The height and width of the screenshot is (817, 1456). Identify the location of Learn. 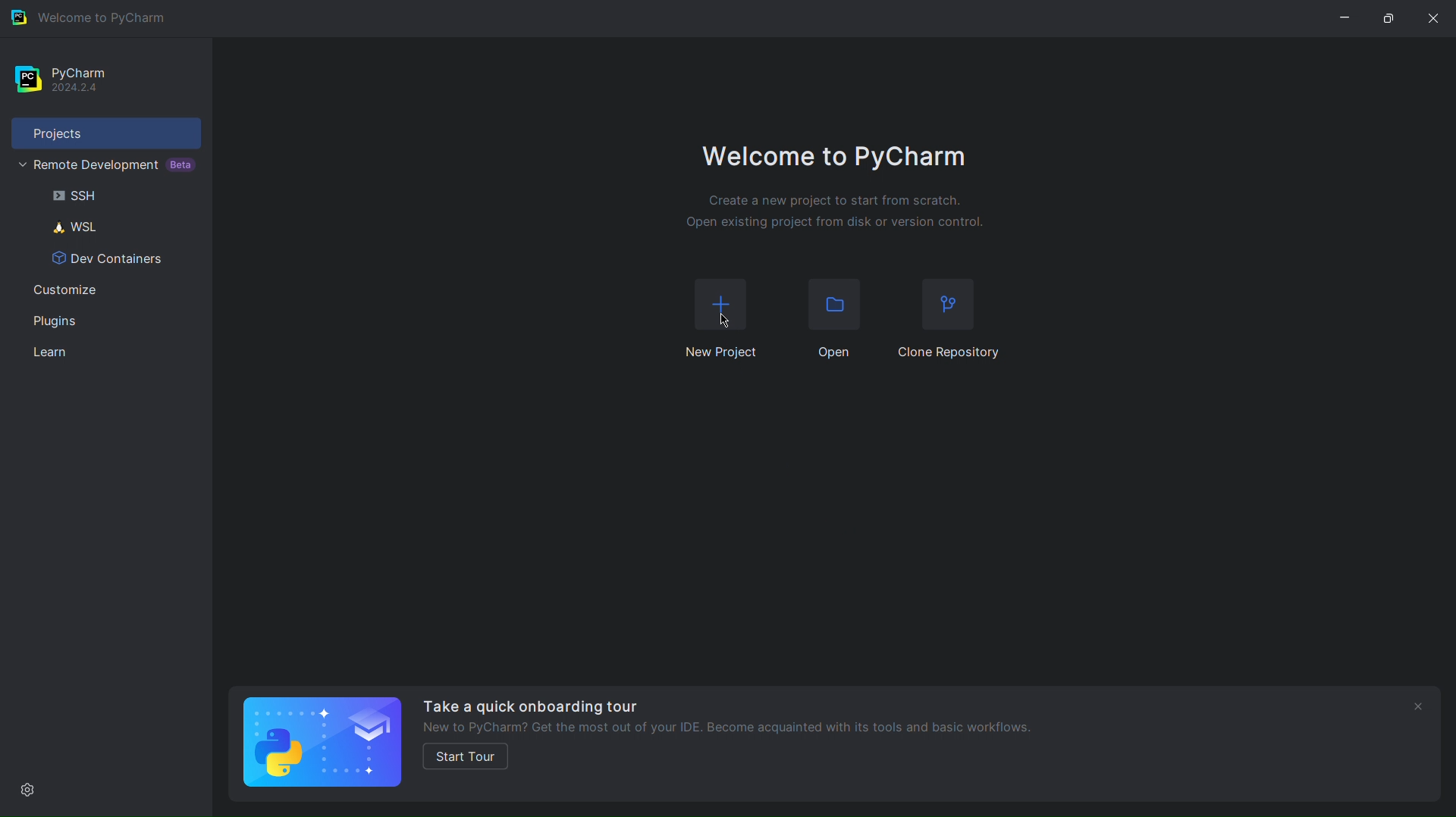
(109, 355).